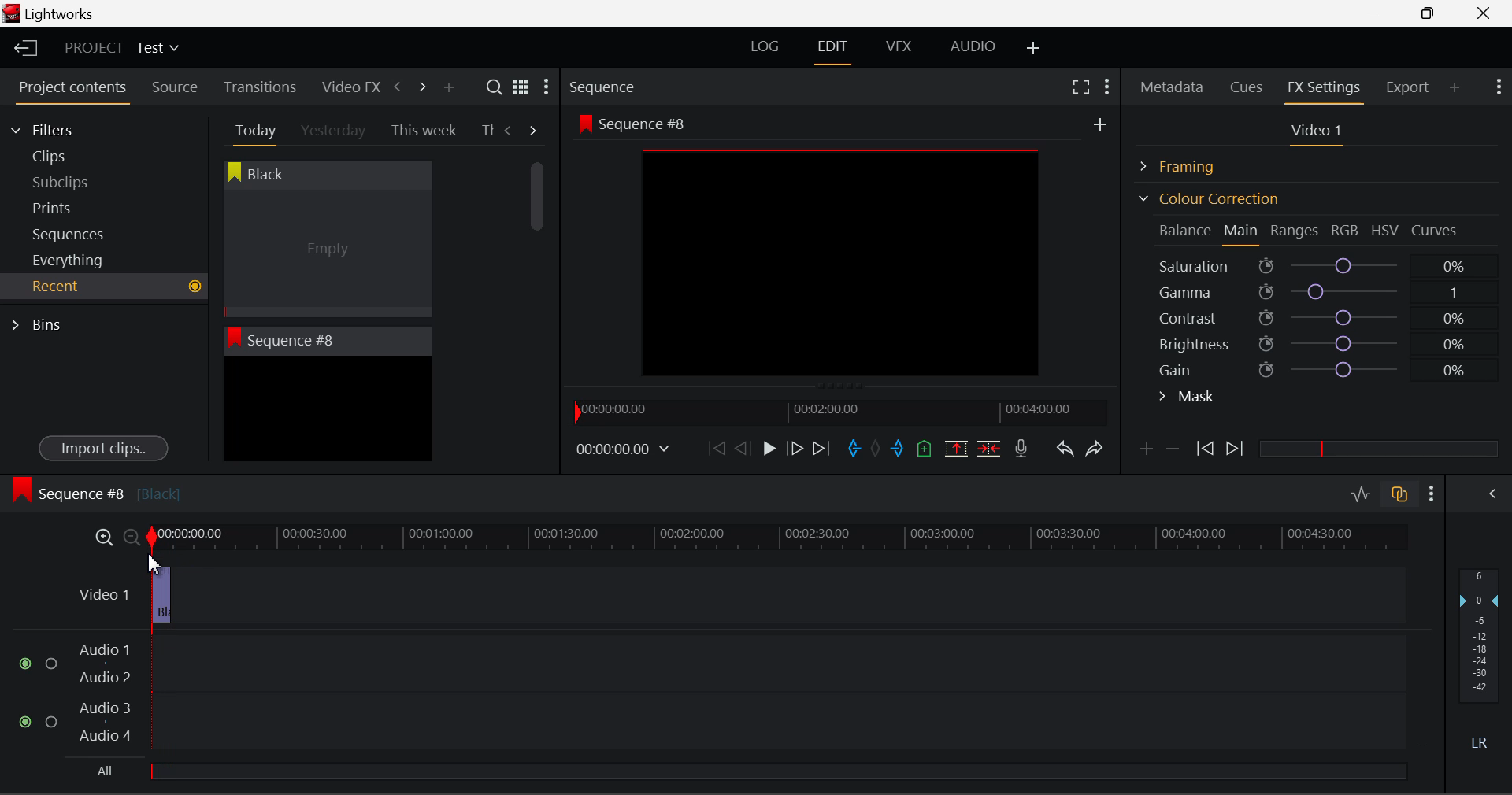 Image resolution: width=1512 pixels, height=795 pixels. I want to click on Import clips, so click(103, 449).